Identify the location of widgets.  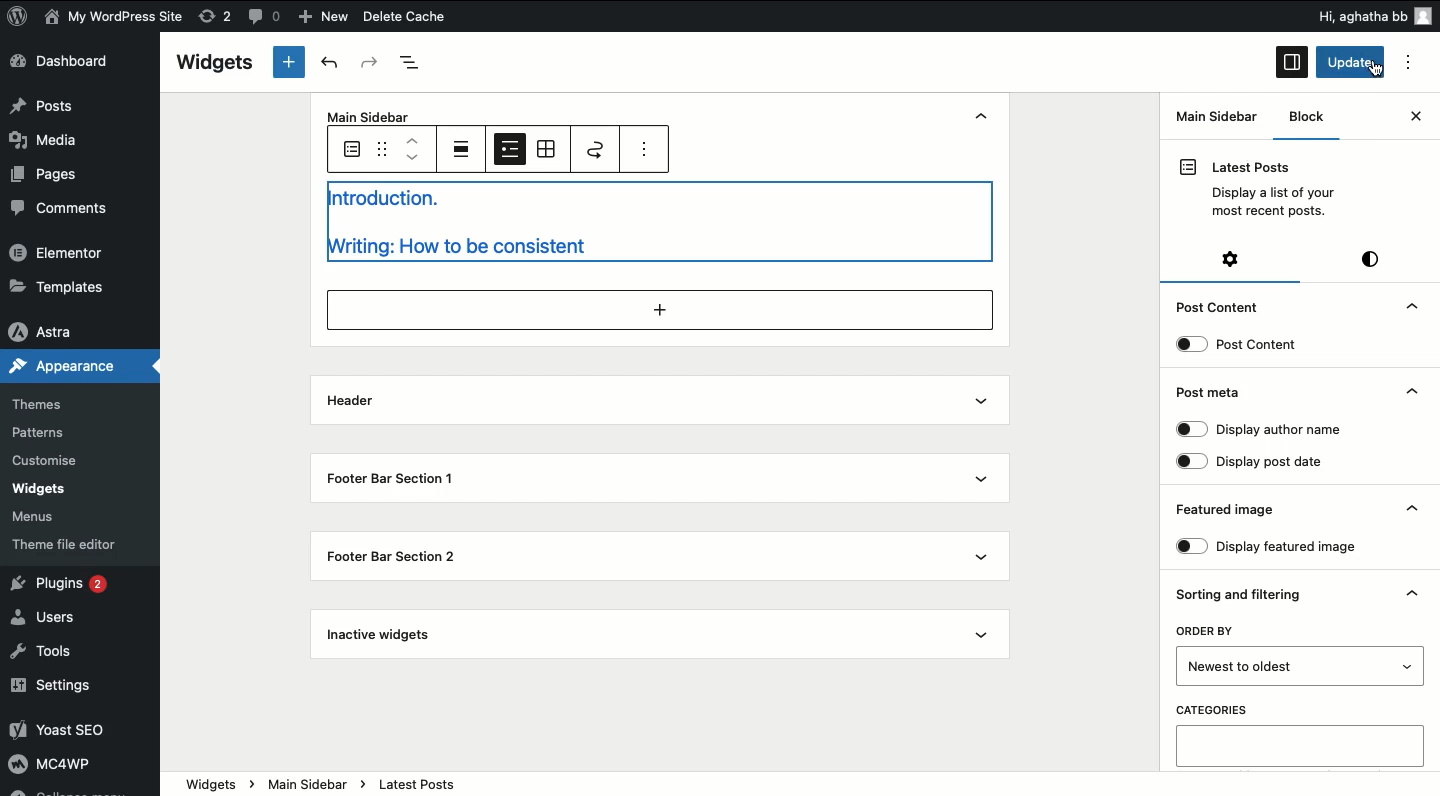
(55, 484).